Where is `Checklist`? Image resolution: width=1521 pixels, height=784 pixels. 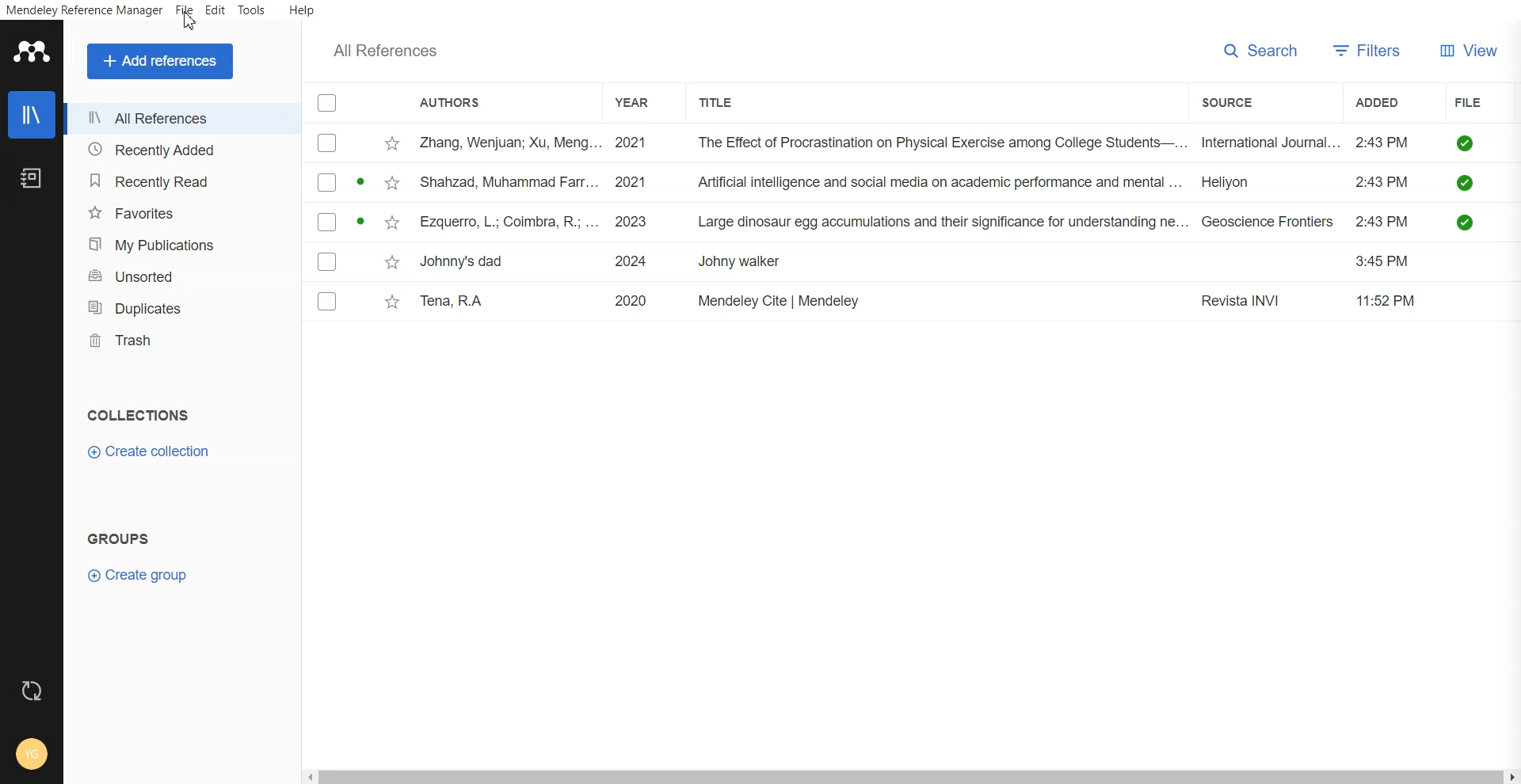
Checklist is located at coordinates (330, 101).